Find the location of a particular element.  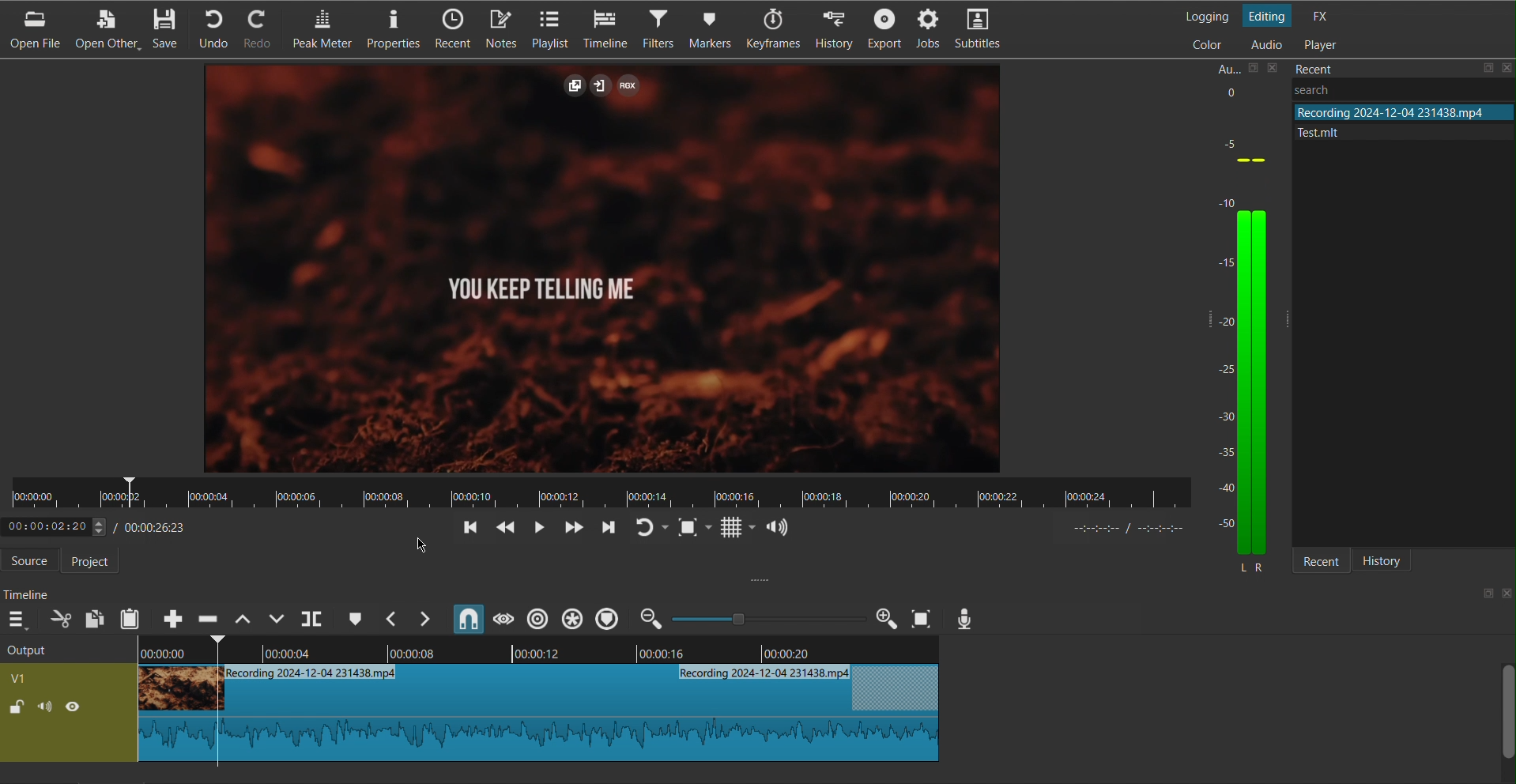

save is located at coordinates (1251, 69).